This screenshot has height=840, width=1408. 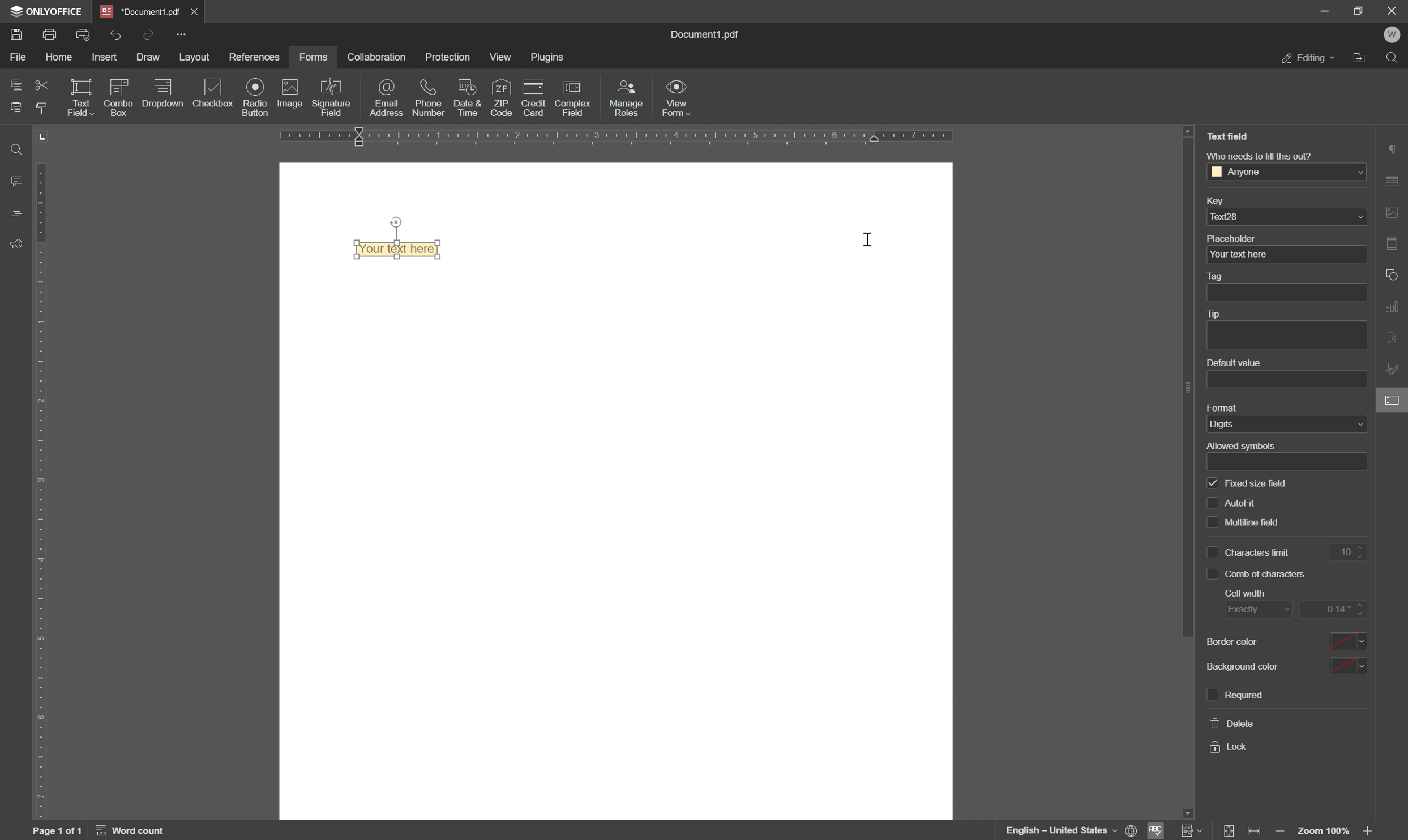 I want to click on placeholder, so click(x=1231, y=238).